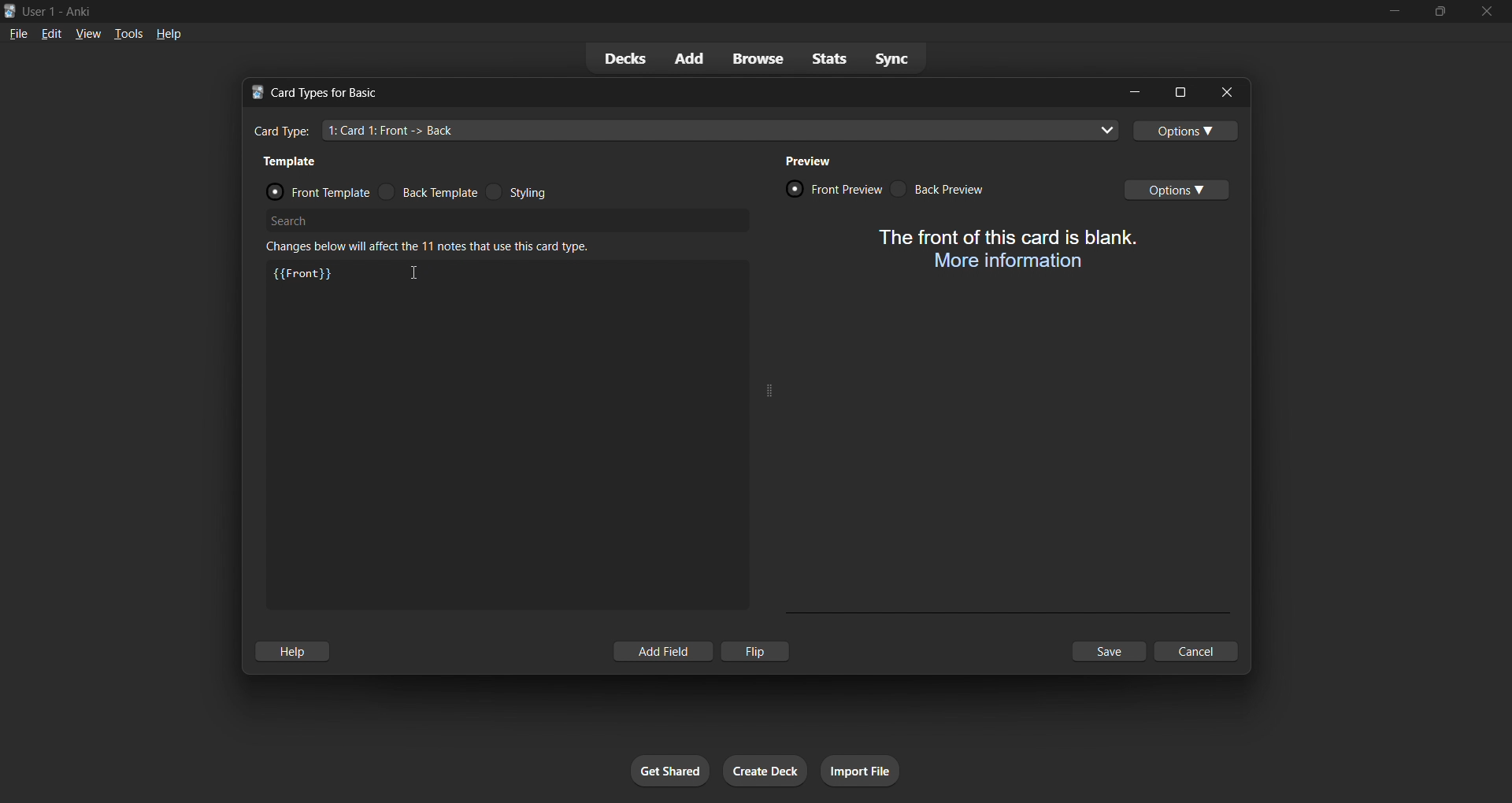 This screenshot has width=1512, height=803. I want to click on save, so click(1110, 653).